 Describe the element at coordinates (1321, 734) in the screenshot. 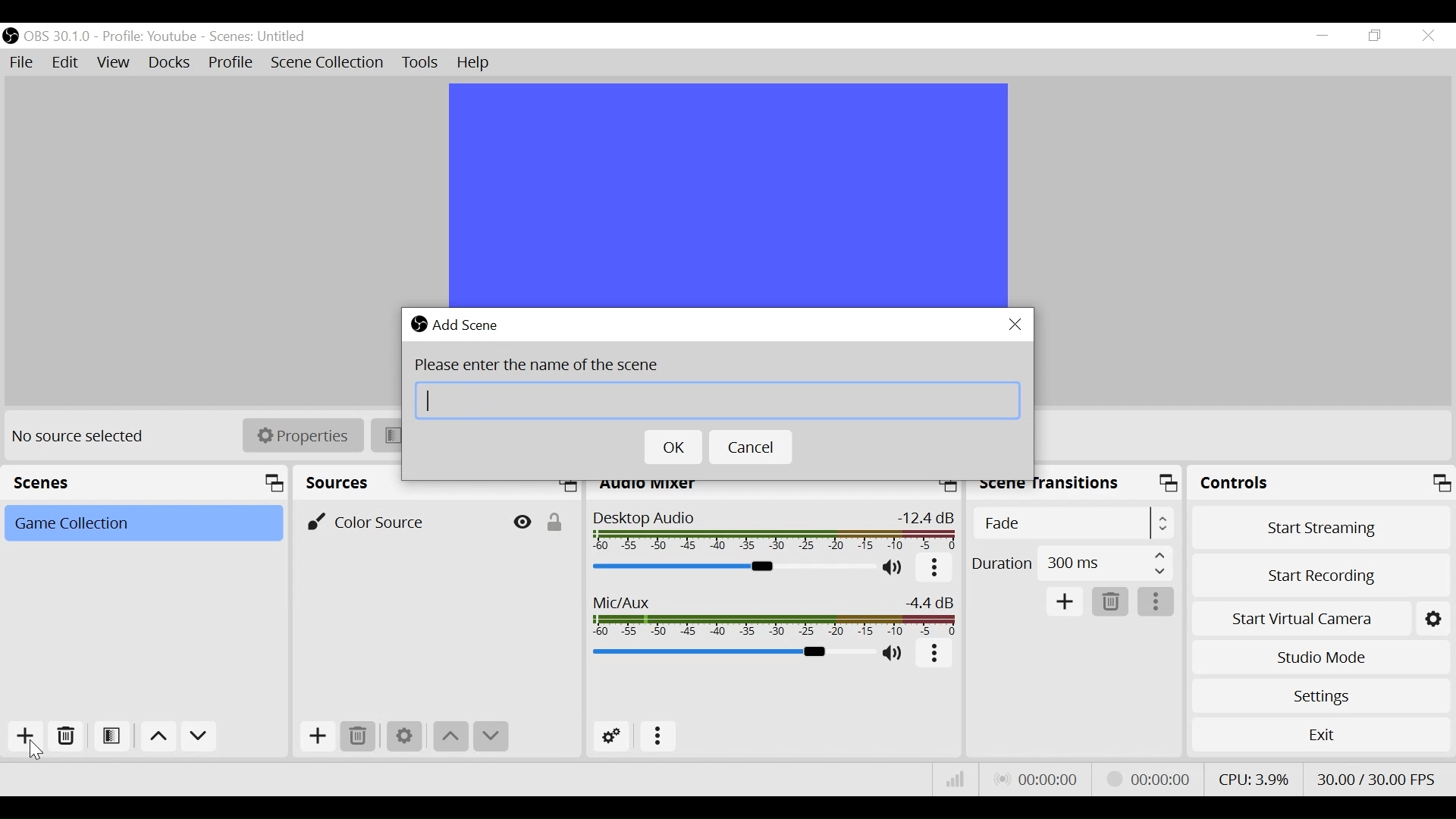

I see `Exit` at that location.